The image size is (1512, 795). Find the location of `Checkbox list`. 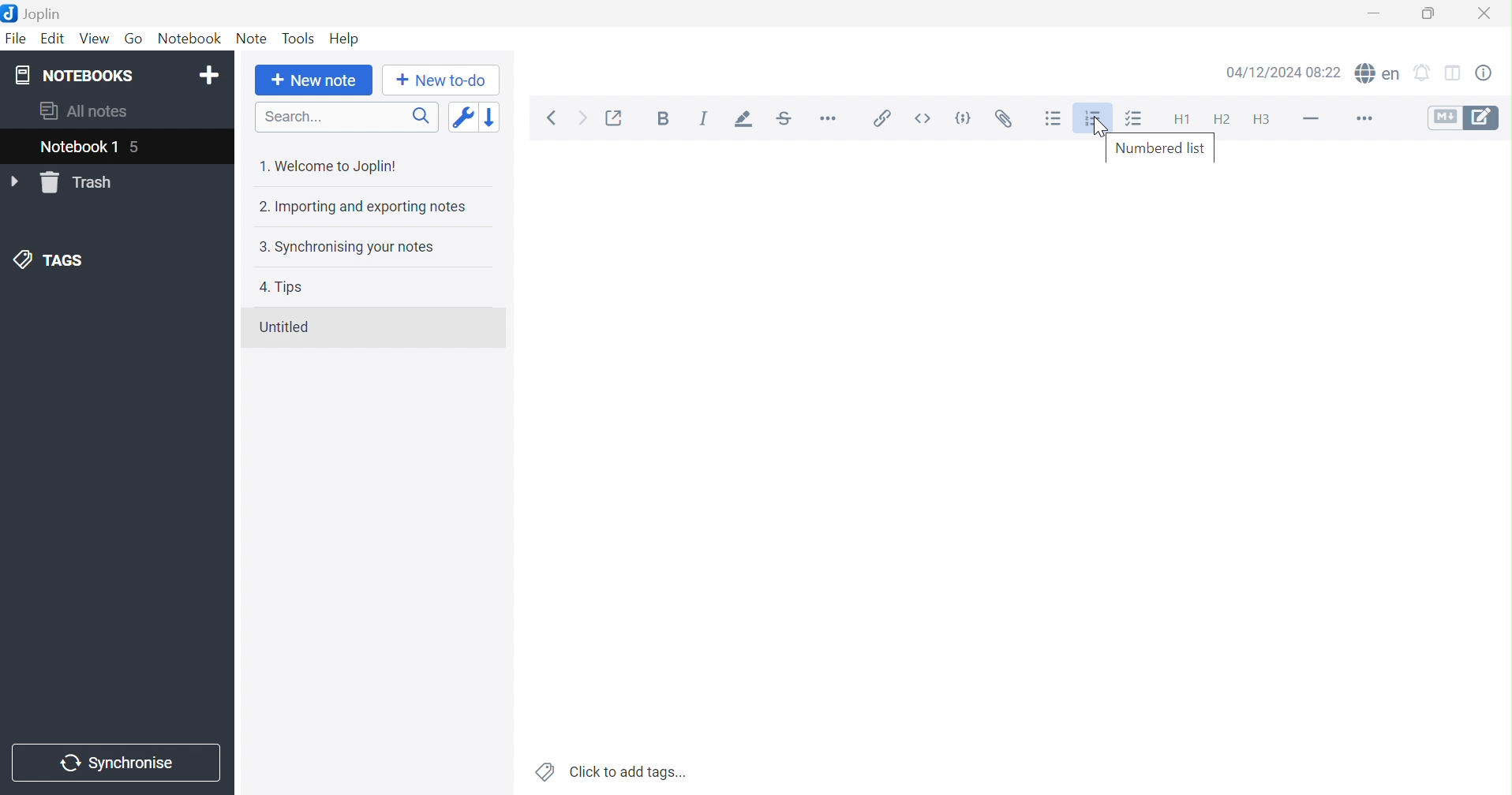

Checkbox list is located at coordinates (1138, 118).